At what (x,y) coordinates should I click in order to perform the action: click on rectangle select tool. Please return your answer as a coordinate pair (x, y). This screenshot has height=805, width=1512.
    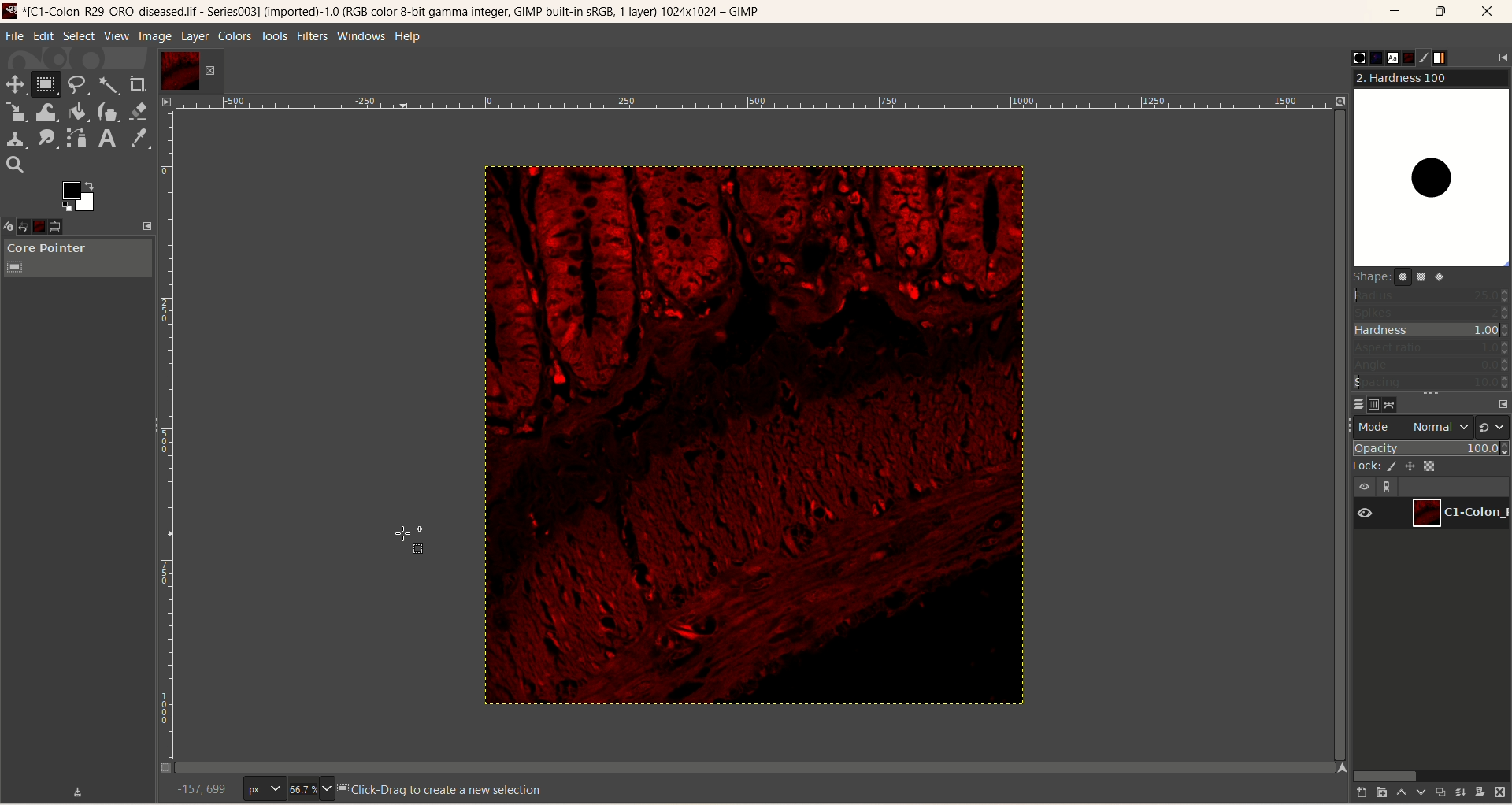
    Looking at the image, I should click on (46, 83).